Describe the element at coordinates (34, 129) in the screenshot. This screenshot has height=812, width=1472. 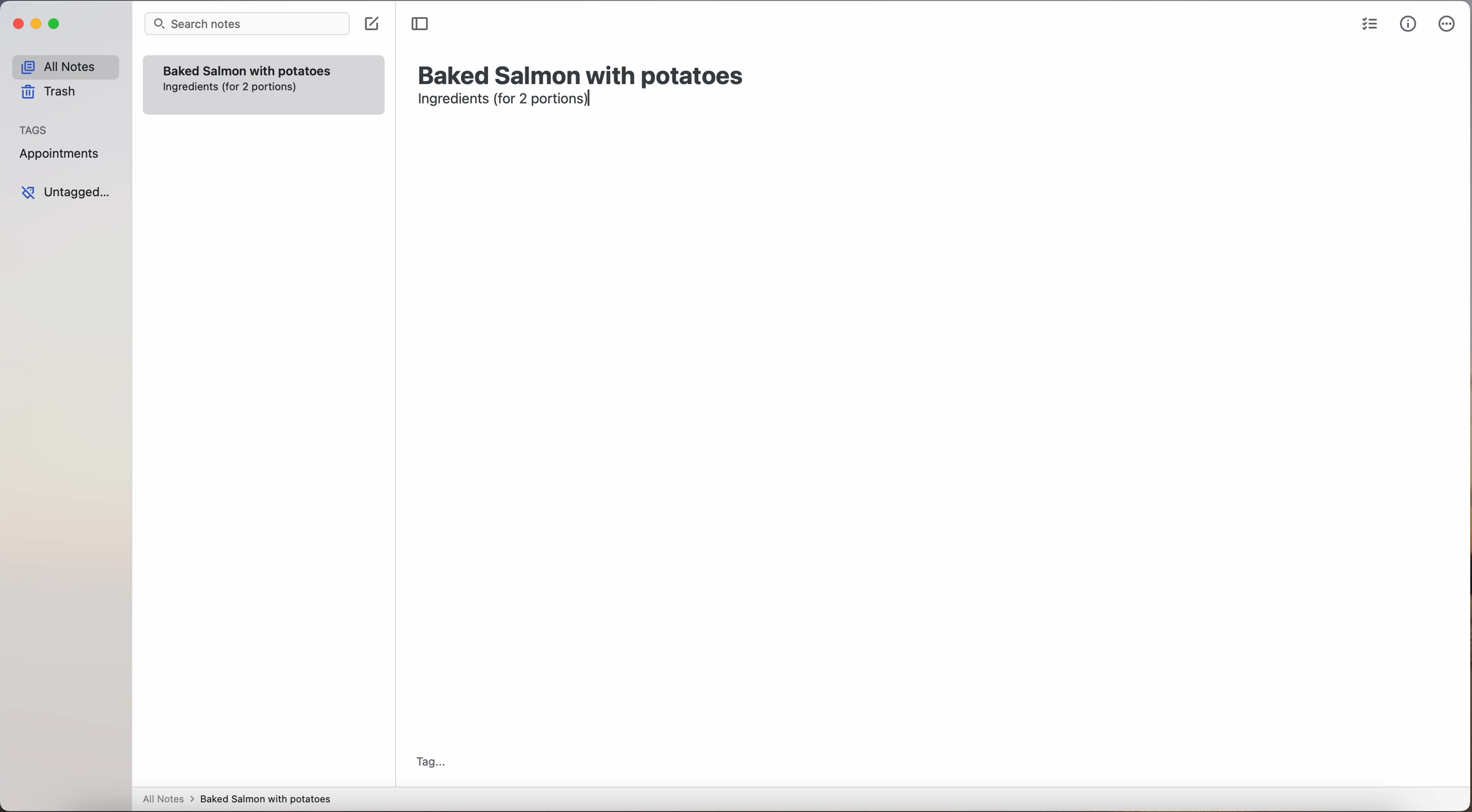
I see `tags` at that location.